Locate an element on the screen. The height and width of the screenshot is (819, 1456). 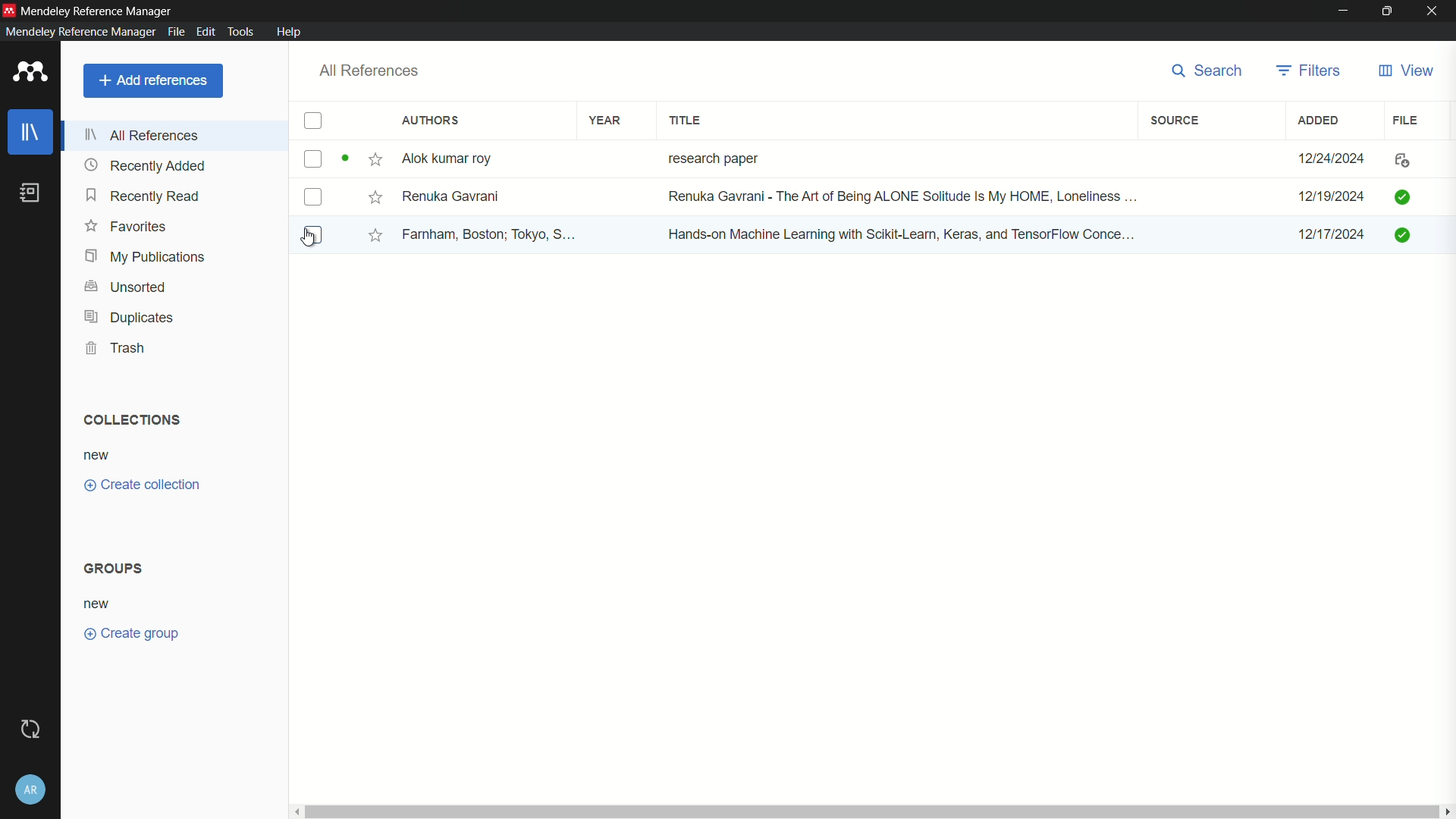
file is located at coordinates (1403, 121).